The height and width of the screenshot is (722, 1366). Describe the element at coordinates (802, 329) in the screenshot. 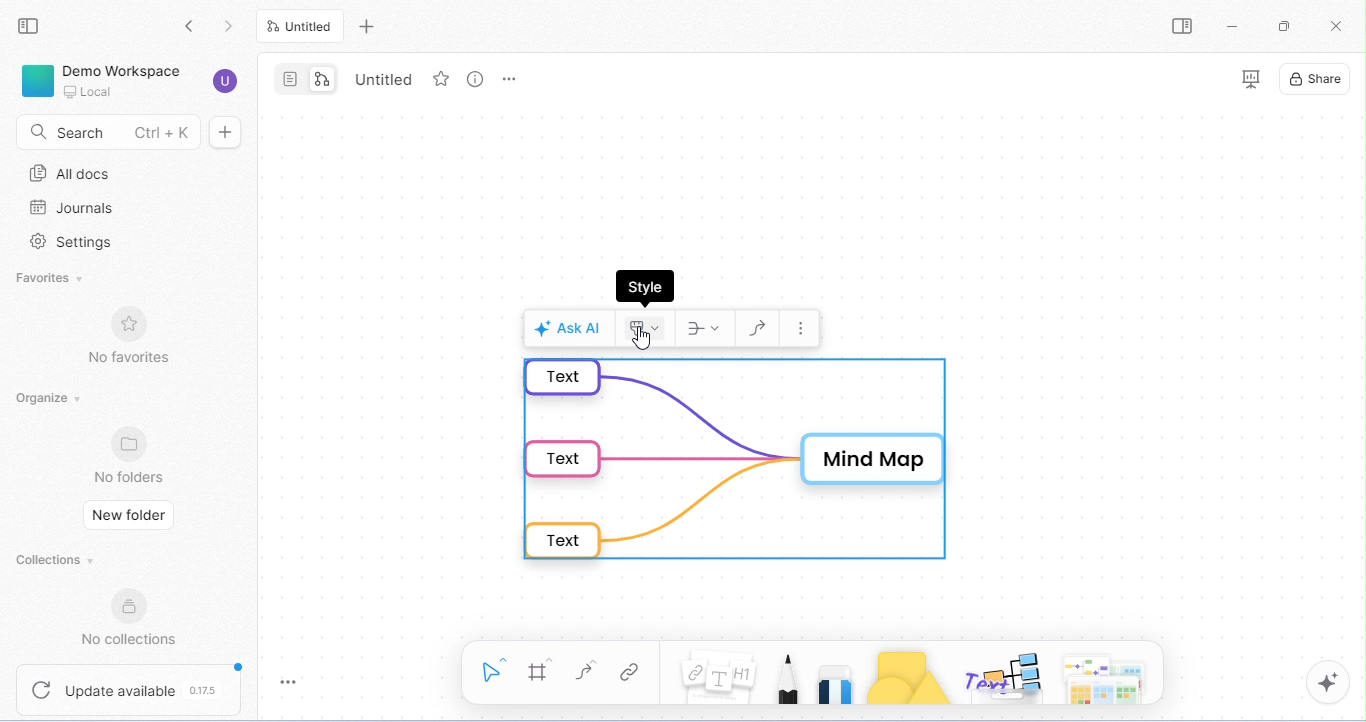

I see `more` at that location.